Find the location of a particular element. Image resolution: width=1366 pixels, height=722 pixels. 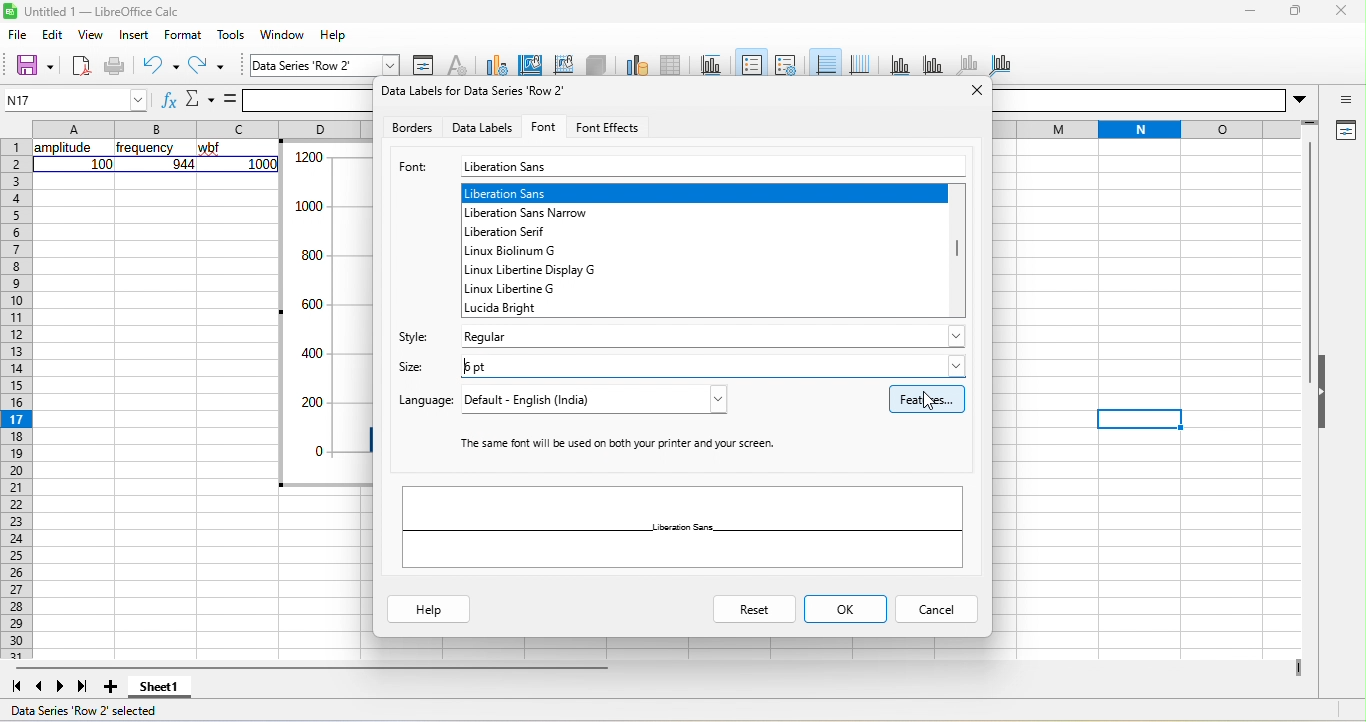

select function is located at coordinates (198, 101).